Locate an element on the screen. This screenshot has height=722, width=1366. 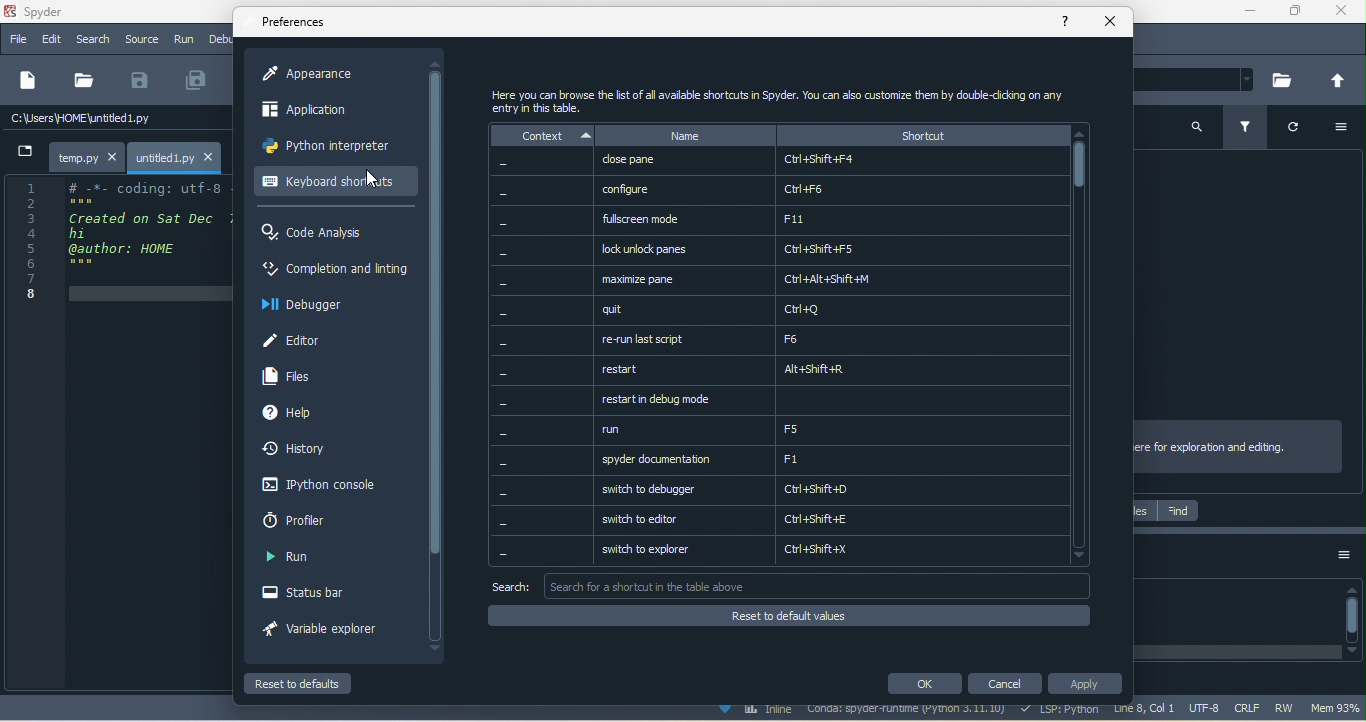
keyboard shortcuts is located at coordinates (327, 184).